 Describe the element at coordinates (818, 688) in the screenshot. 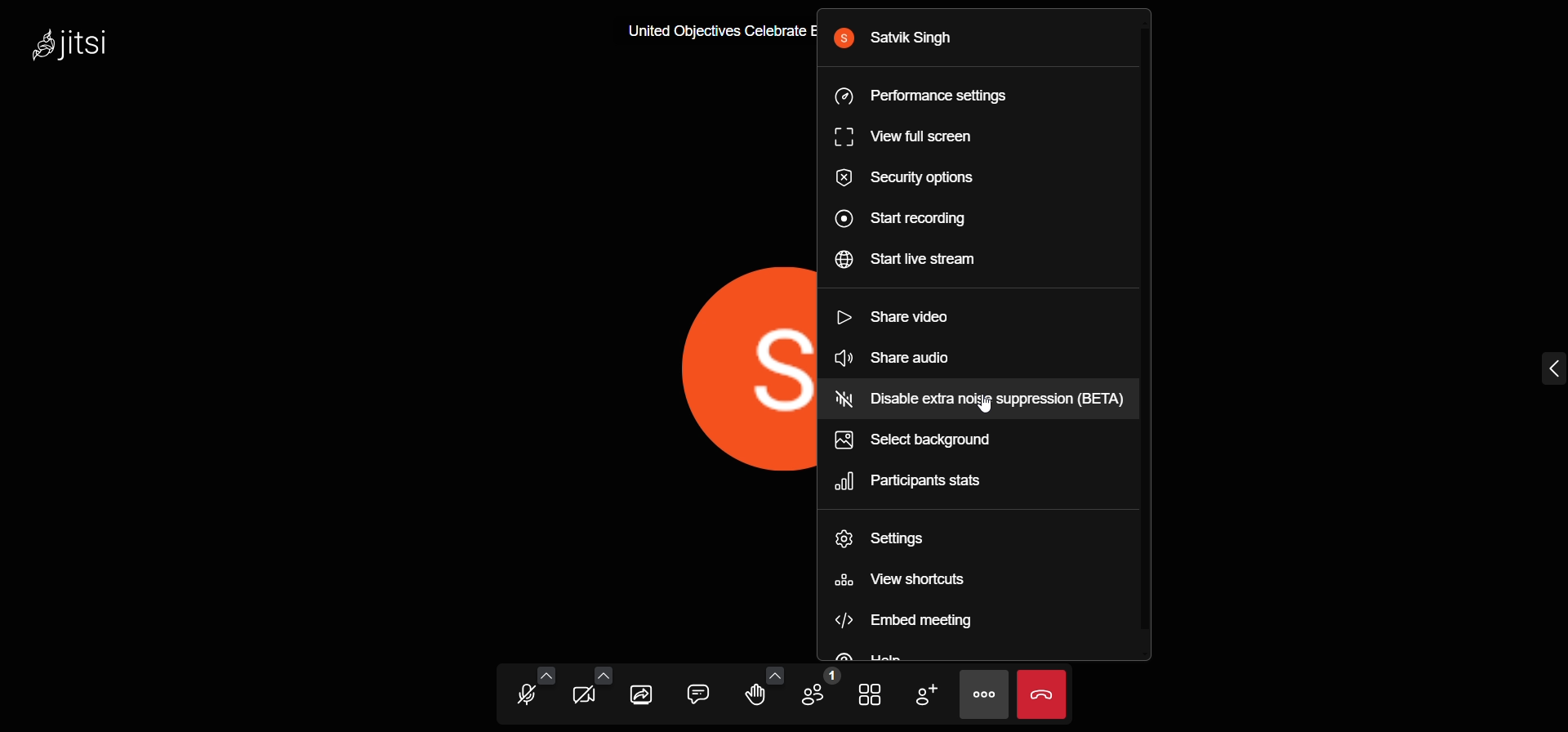

I see `participants` at that location.